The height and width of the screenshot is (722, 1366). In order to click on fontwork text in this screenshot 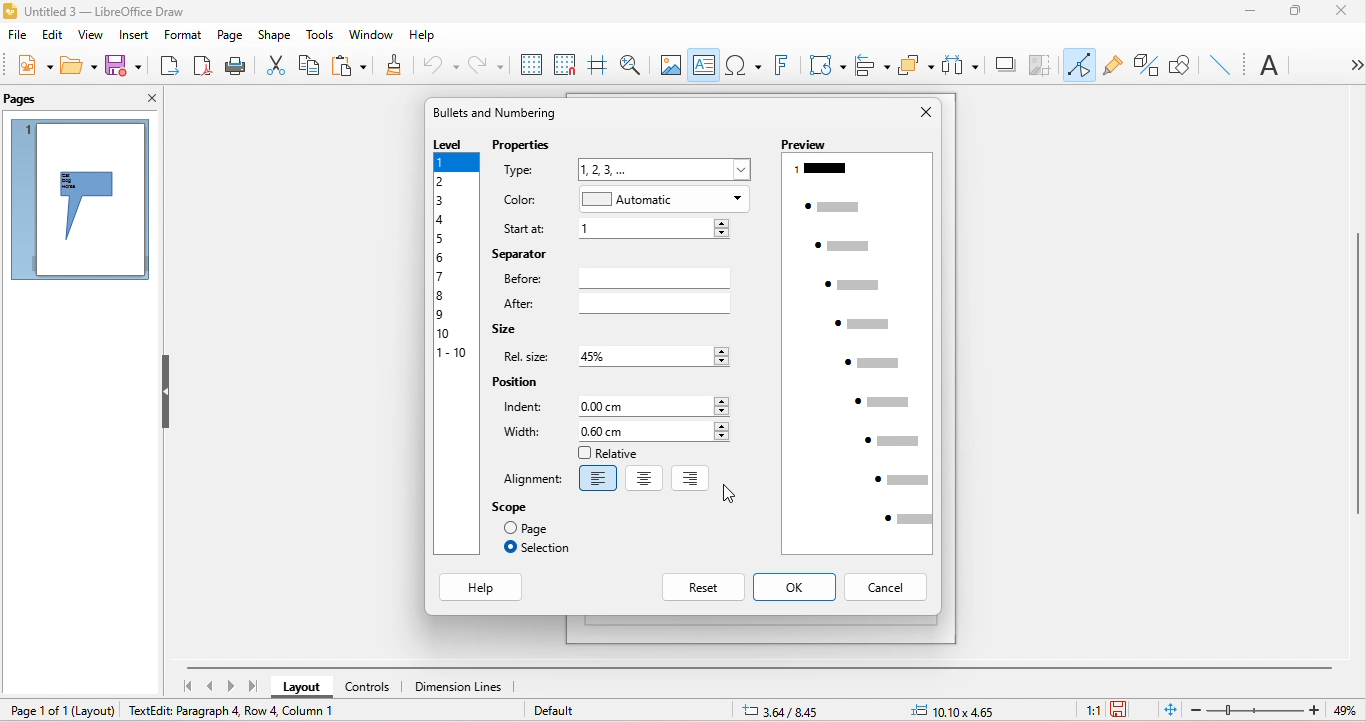, I will do `click(779, 67)`.